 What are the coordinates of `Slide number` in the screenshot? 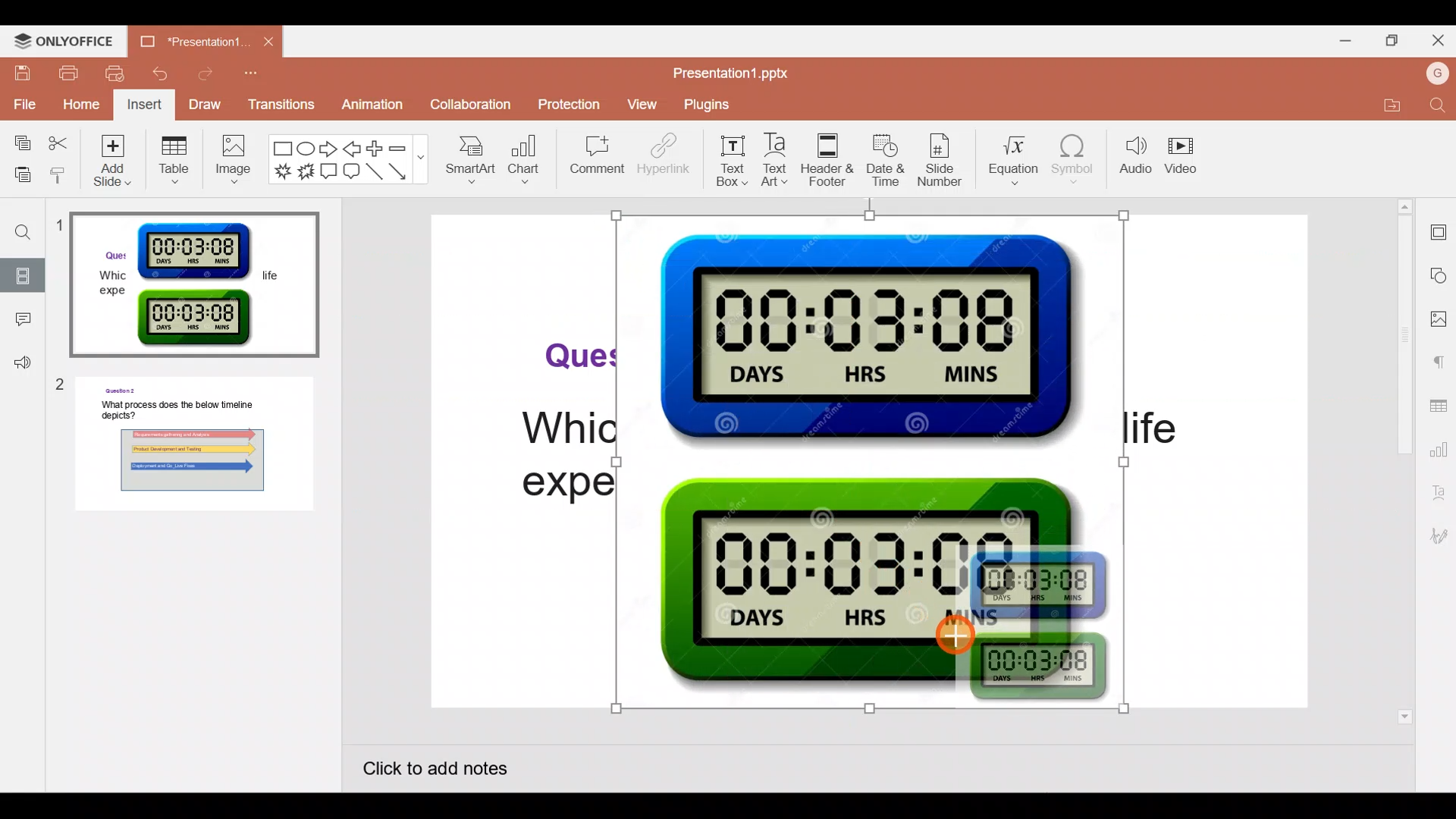 It's located at (946, 162).